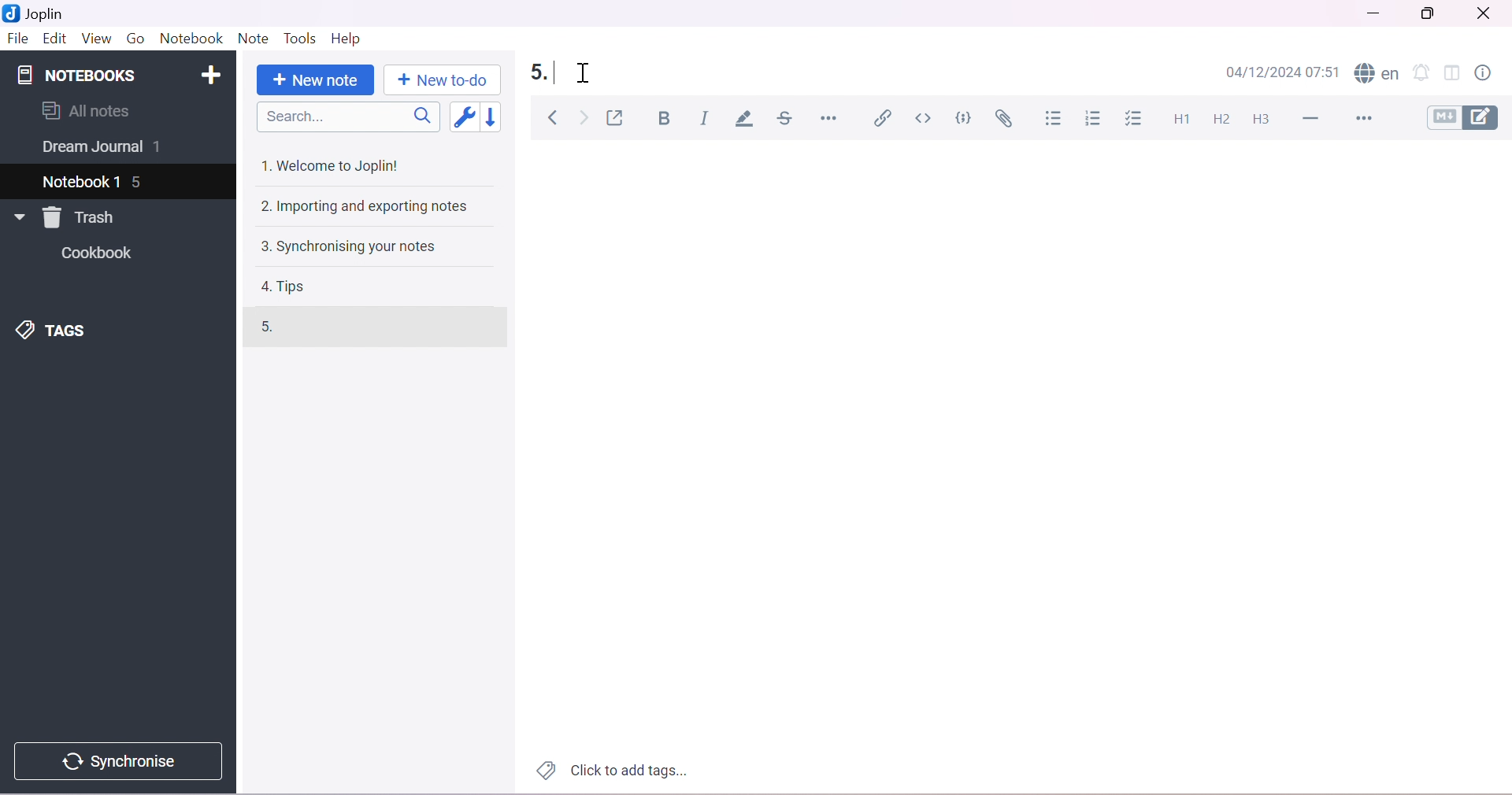 The image size is (1512, 795). What do you see at coordinates (582, 72) in the screenshot?
I see `Cursor` at bounding box center [582, 72].